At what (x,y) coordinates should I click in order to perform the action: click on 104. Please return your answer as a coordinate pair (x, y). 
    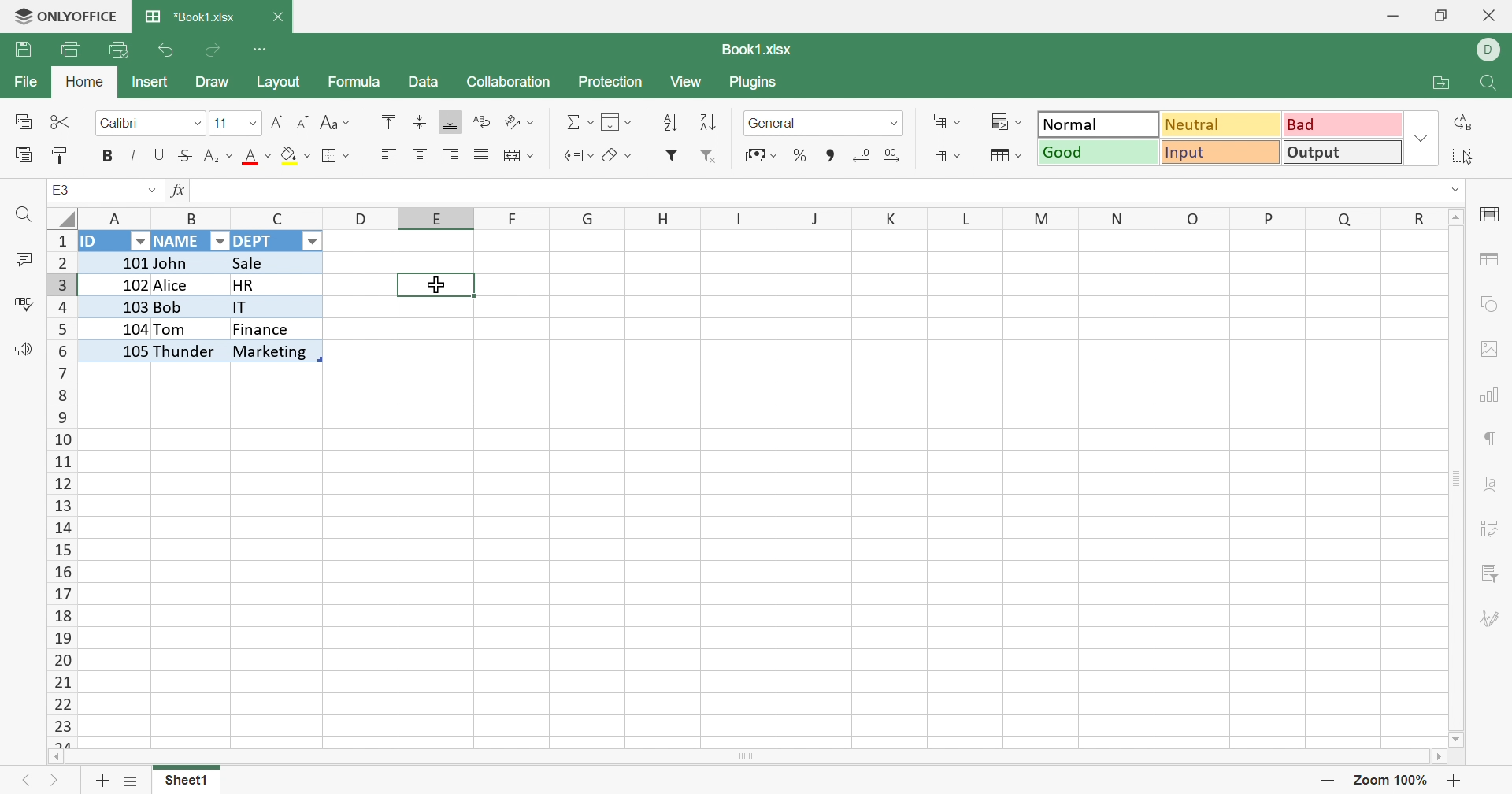
    Looking at the image, I should click on (114, 327).